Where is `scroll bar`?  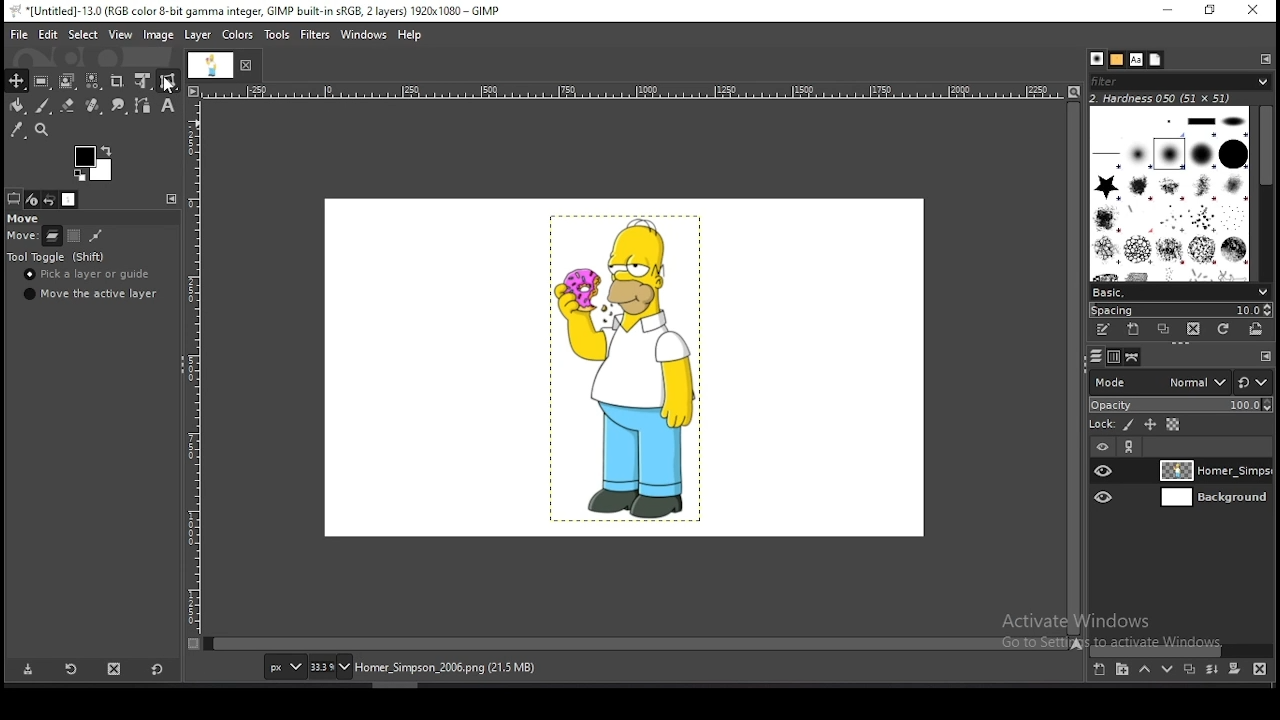
scroll bar is located at coordinates (1072, 367).